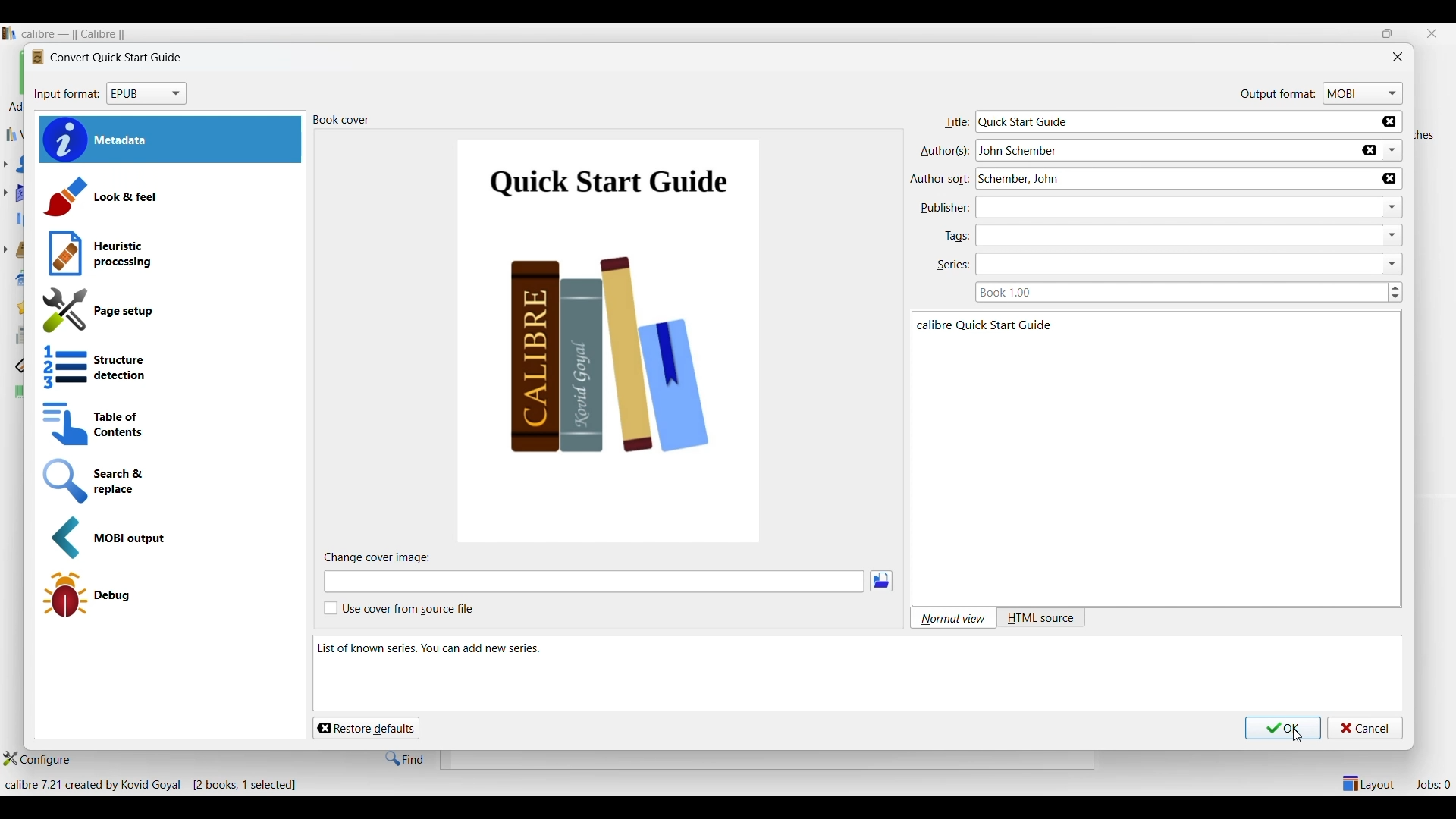 Image resolution: width=1456 pixels, height=819 pixels. Describe the element at coordinates (171, 538) in the screenshot. I see `EPUB output` at that location.